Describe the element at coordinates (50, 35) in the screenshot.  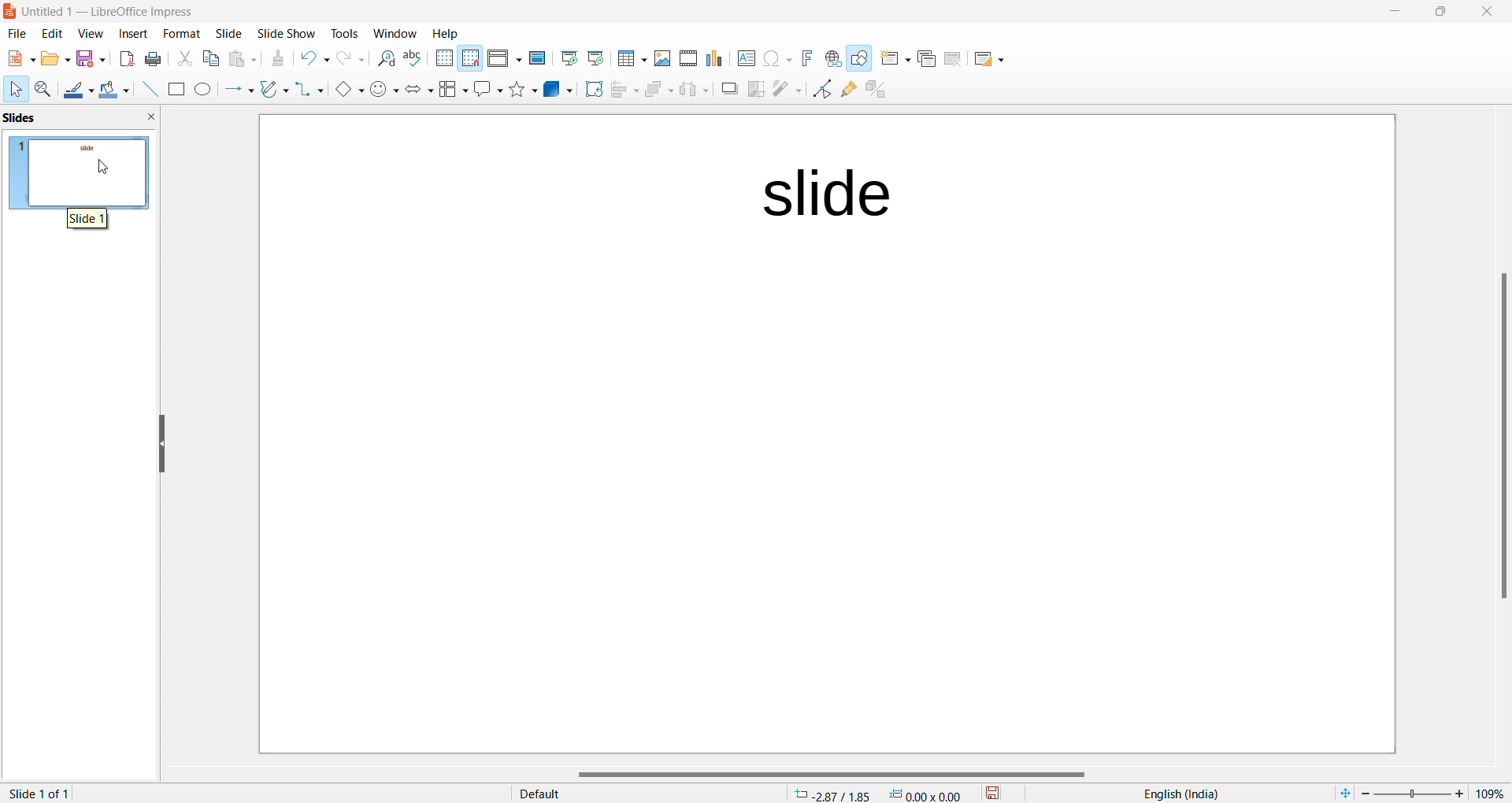
I see `edit` at that location.